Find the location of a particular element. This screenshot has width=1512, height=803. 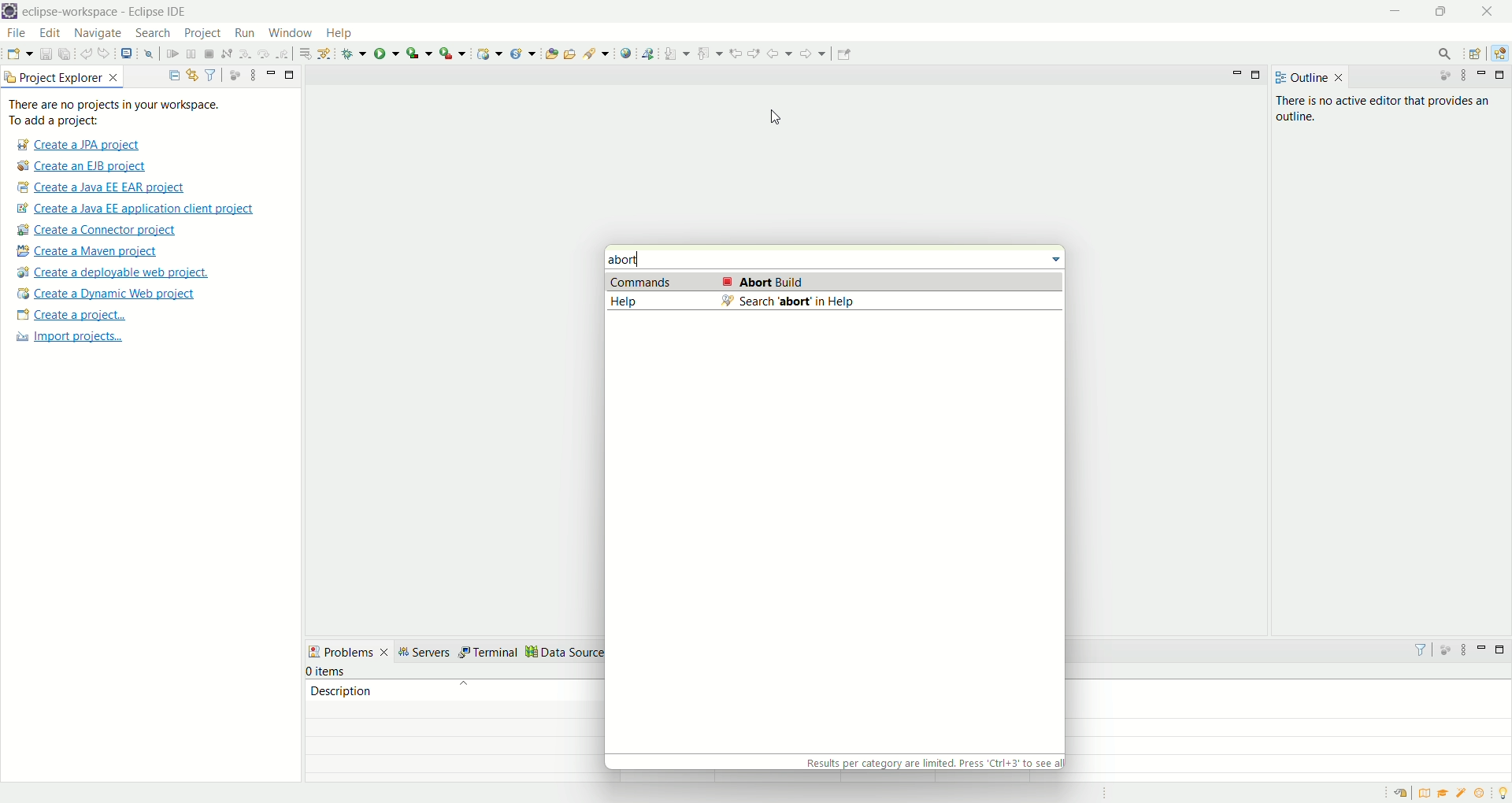

focus on active task is located at coordinates (1443, 650).